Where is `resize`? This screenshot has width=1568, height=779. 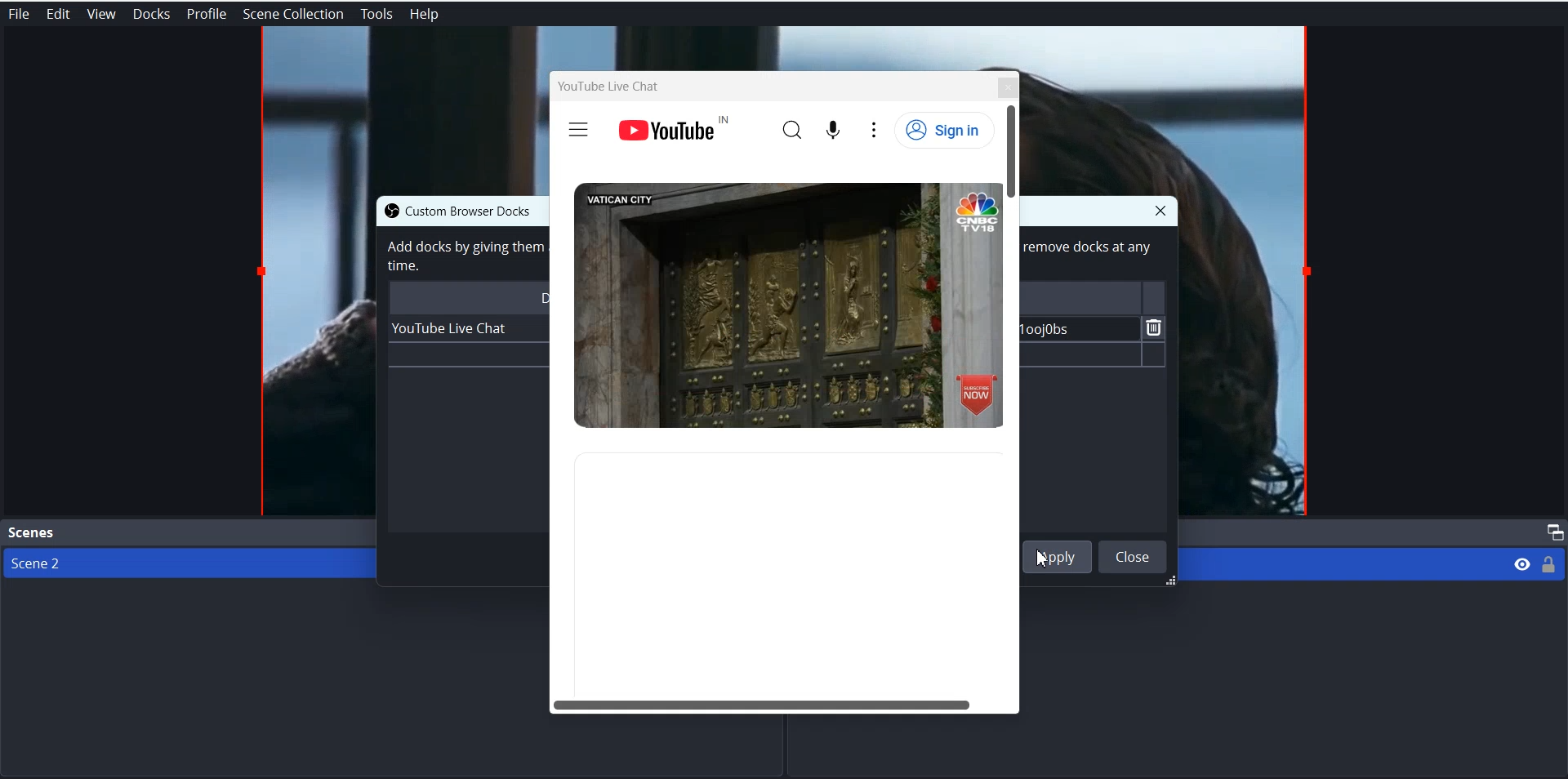 resize is located at coordinates (1167, 582).